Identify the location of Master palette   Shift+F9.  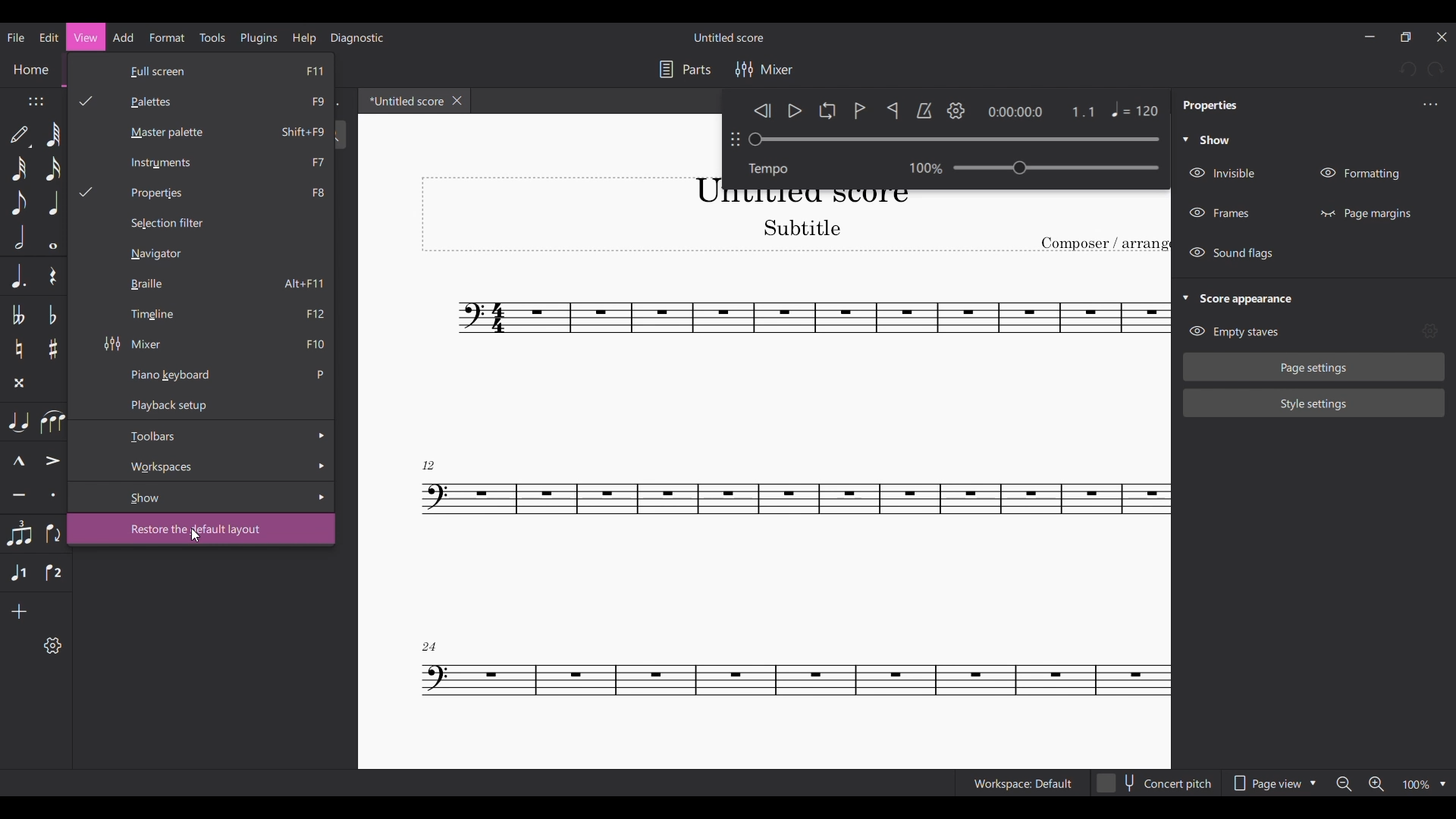
(209, 134).